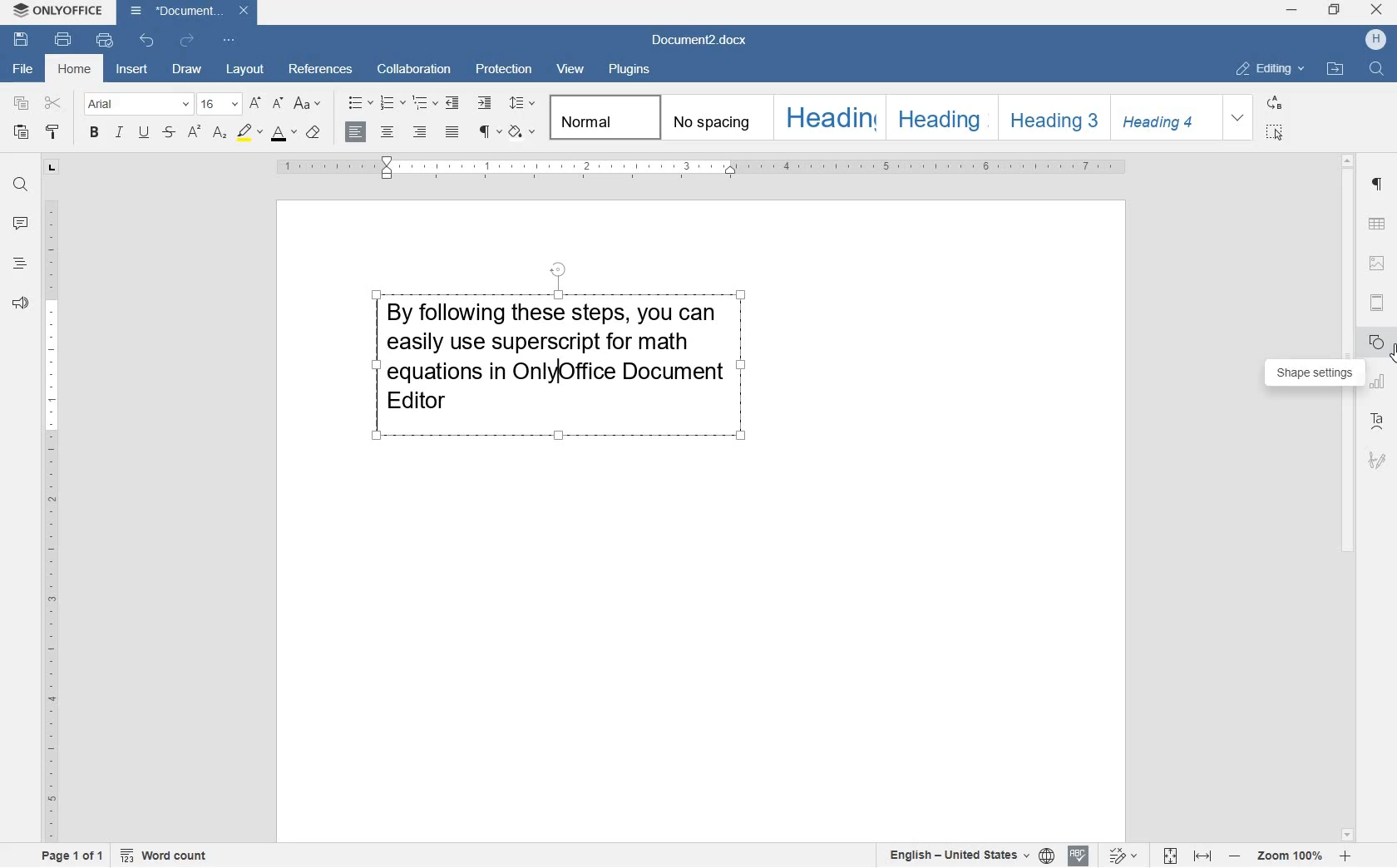 This screenshot has width=1397, height=868. Describe the element at coordinates (23, 186) in the screenshot. I see `find` at that location.